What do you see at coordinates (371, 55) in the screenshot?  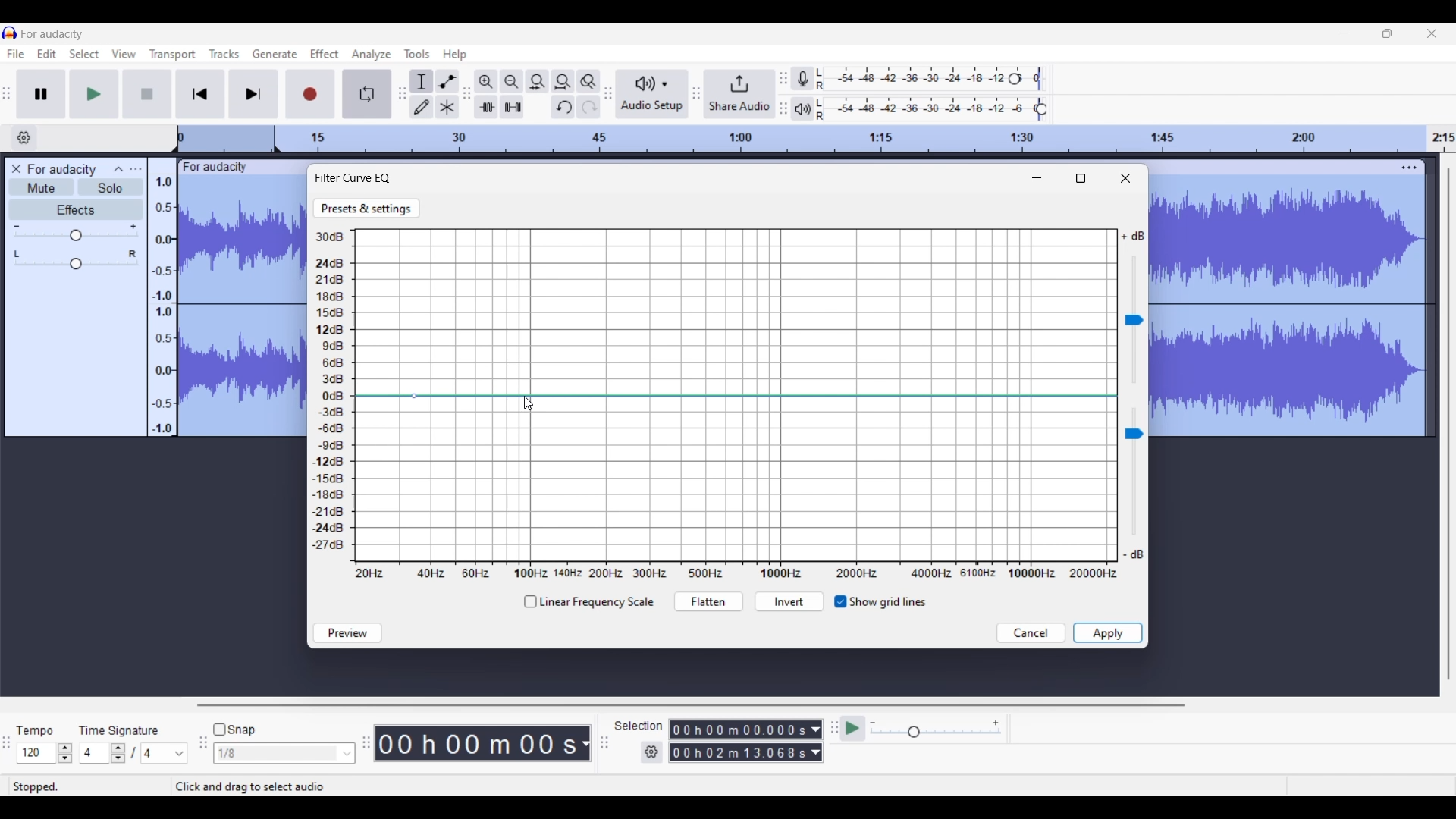 I see `Analyze menu` at bounding box center [371, 55].